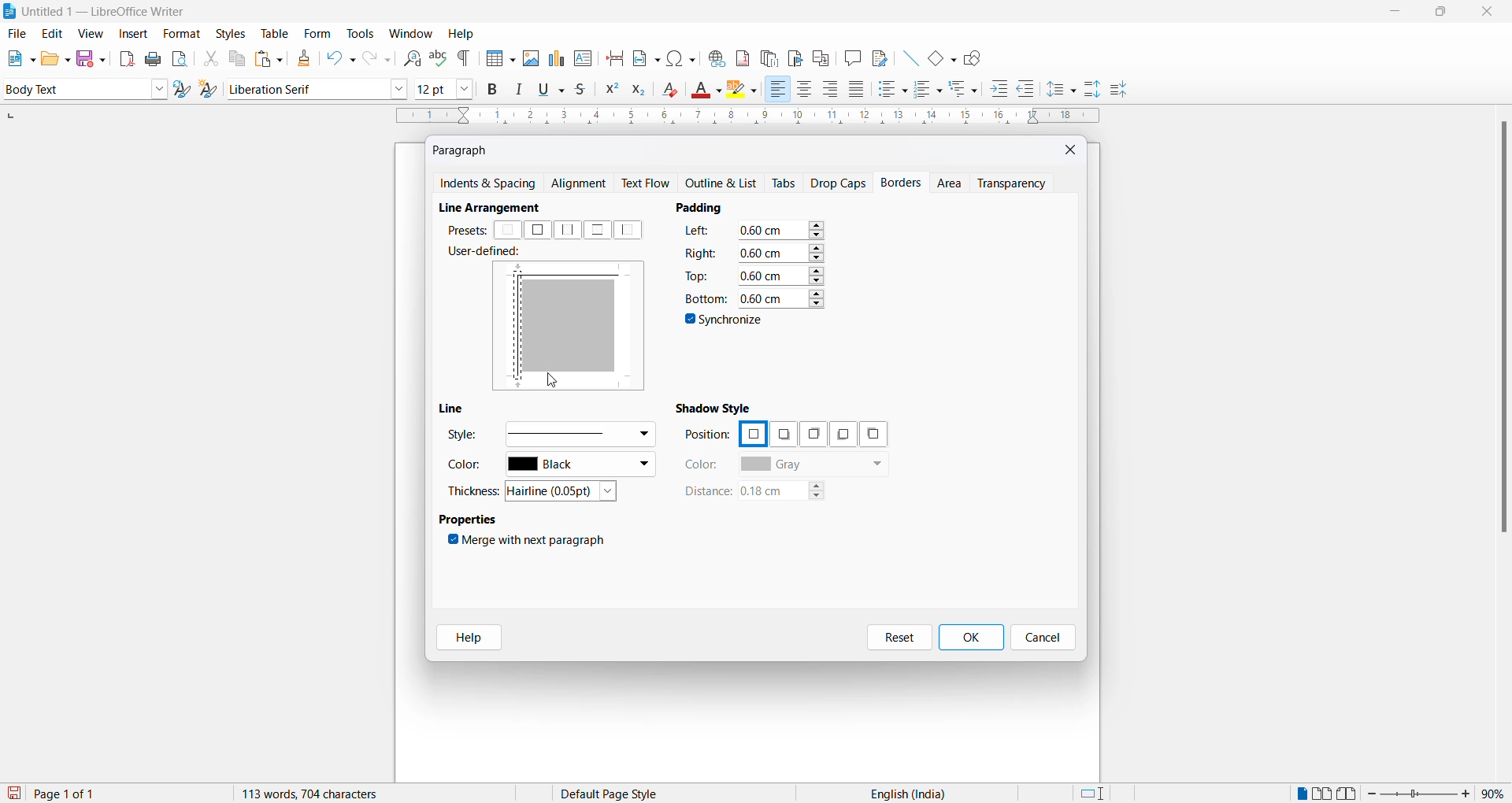 The width and height of the screenshot is (1512, 803). I want to click on basic shapes, so click(938, 56).